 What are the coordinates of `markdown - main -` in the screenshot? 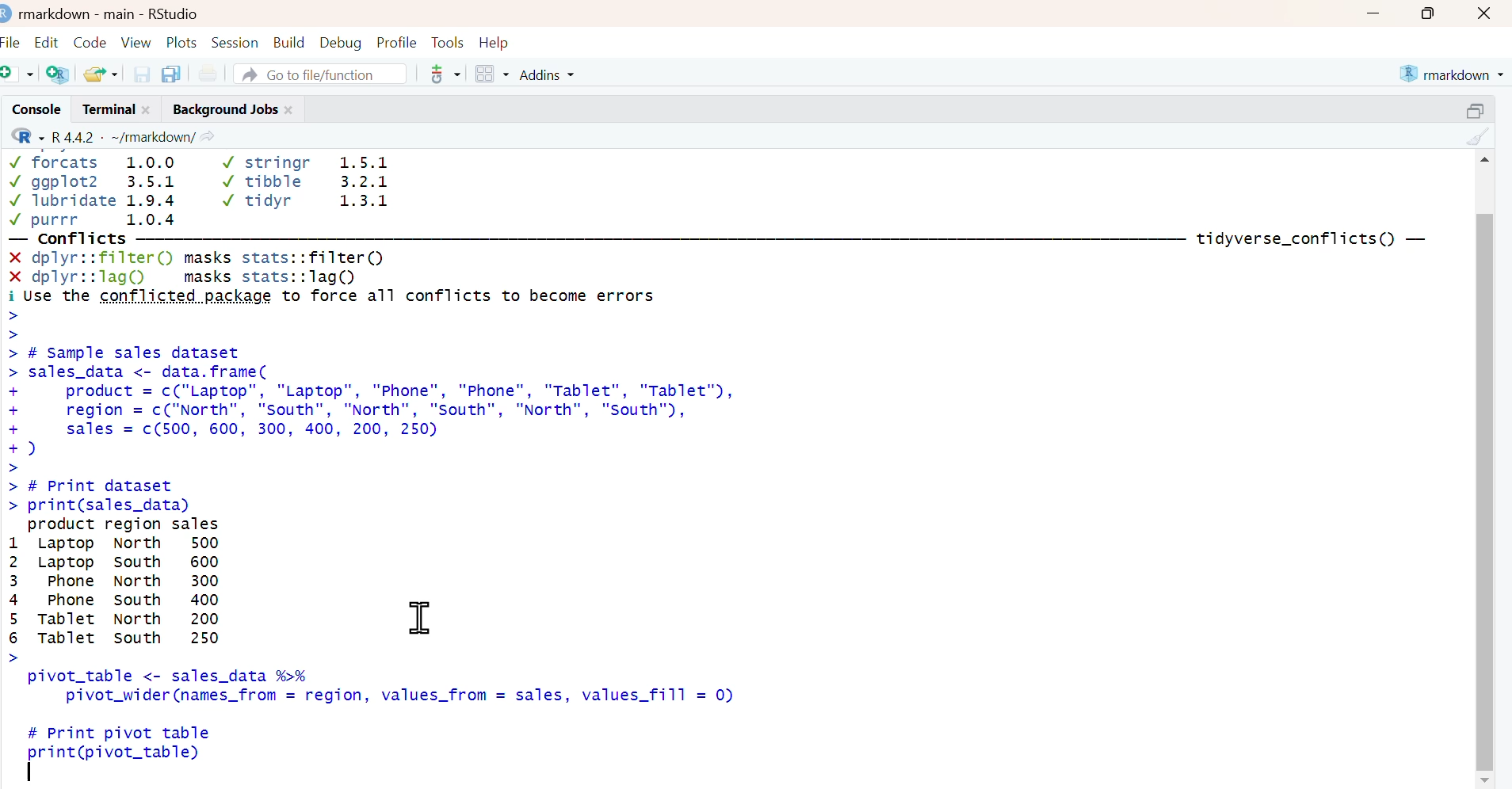 It's located at (78, 12).